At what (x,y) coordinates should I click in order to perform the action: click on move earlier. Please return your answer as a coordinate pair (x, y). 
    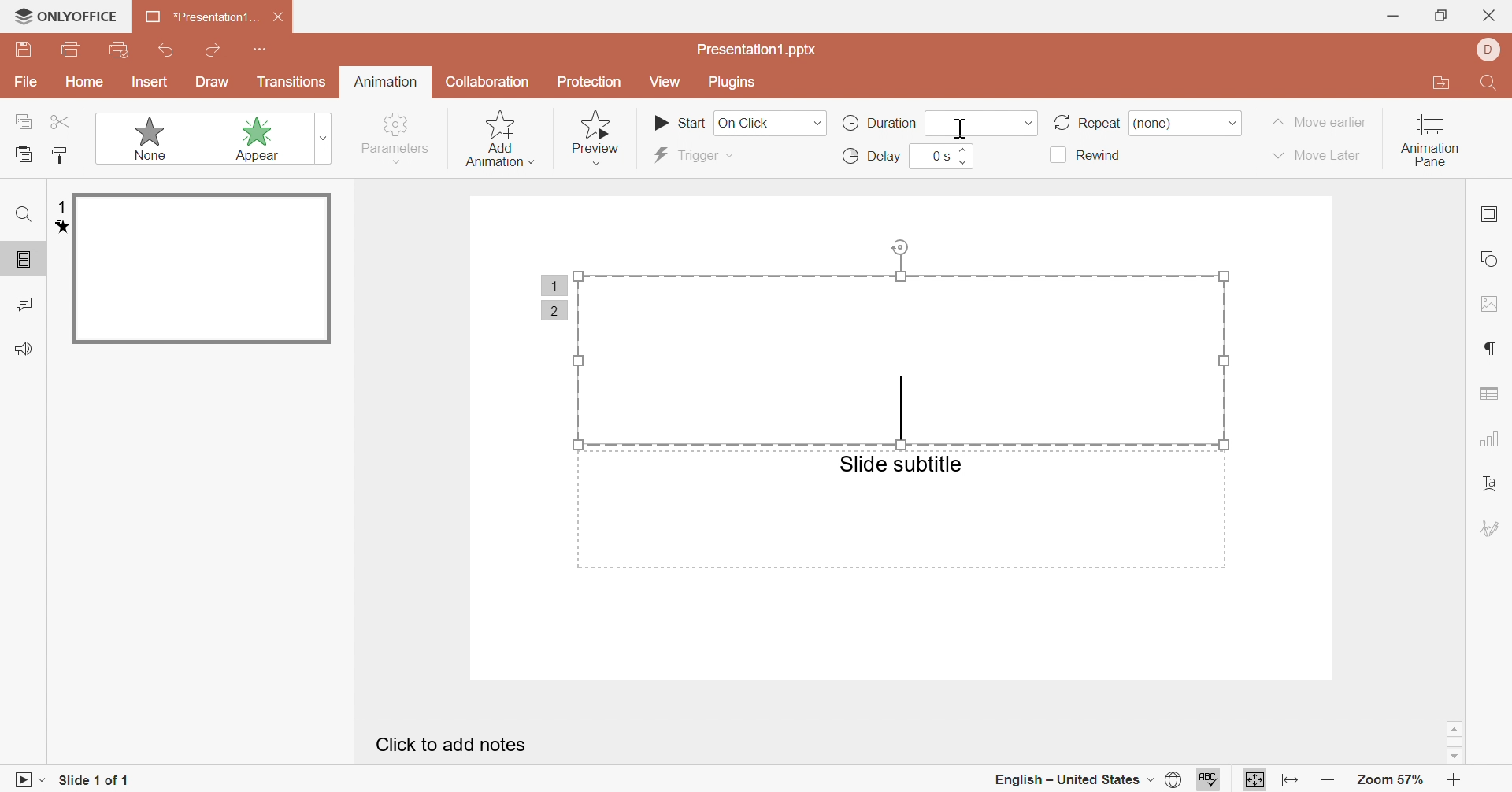
    Looking at the image, I should click on (1319, 122).